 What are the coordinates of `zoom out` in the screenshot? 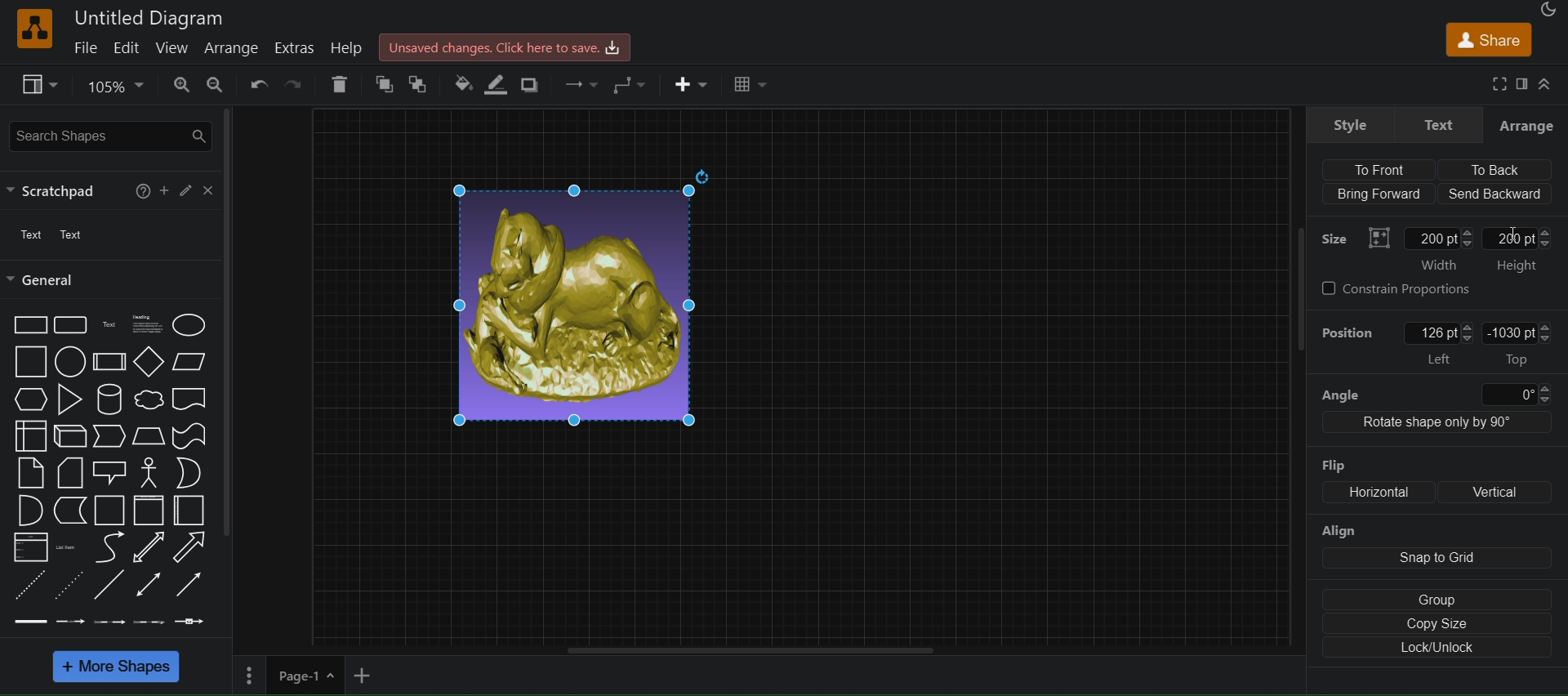 It's located at (213, 85).